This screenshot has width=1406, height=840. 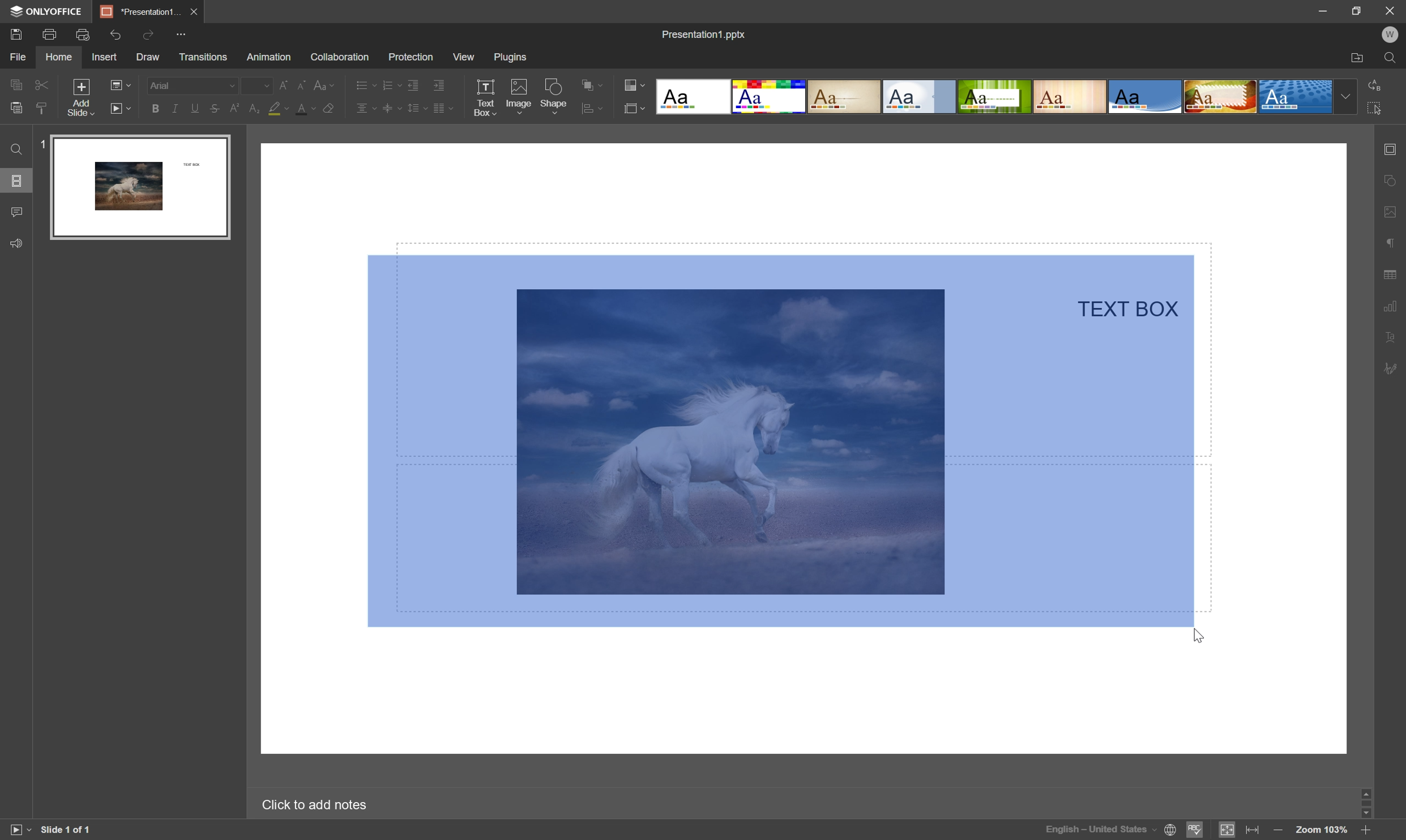 What do you see at coordinates (16, 108) in the screenshot?
I see `paste` at bounding box center [16, 108].